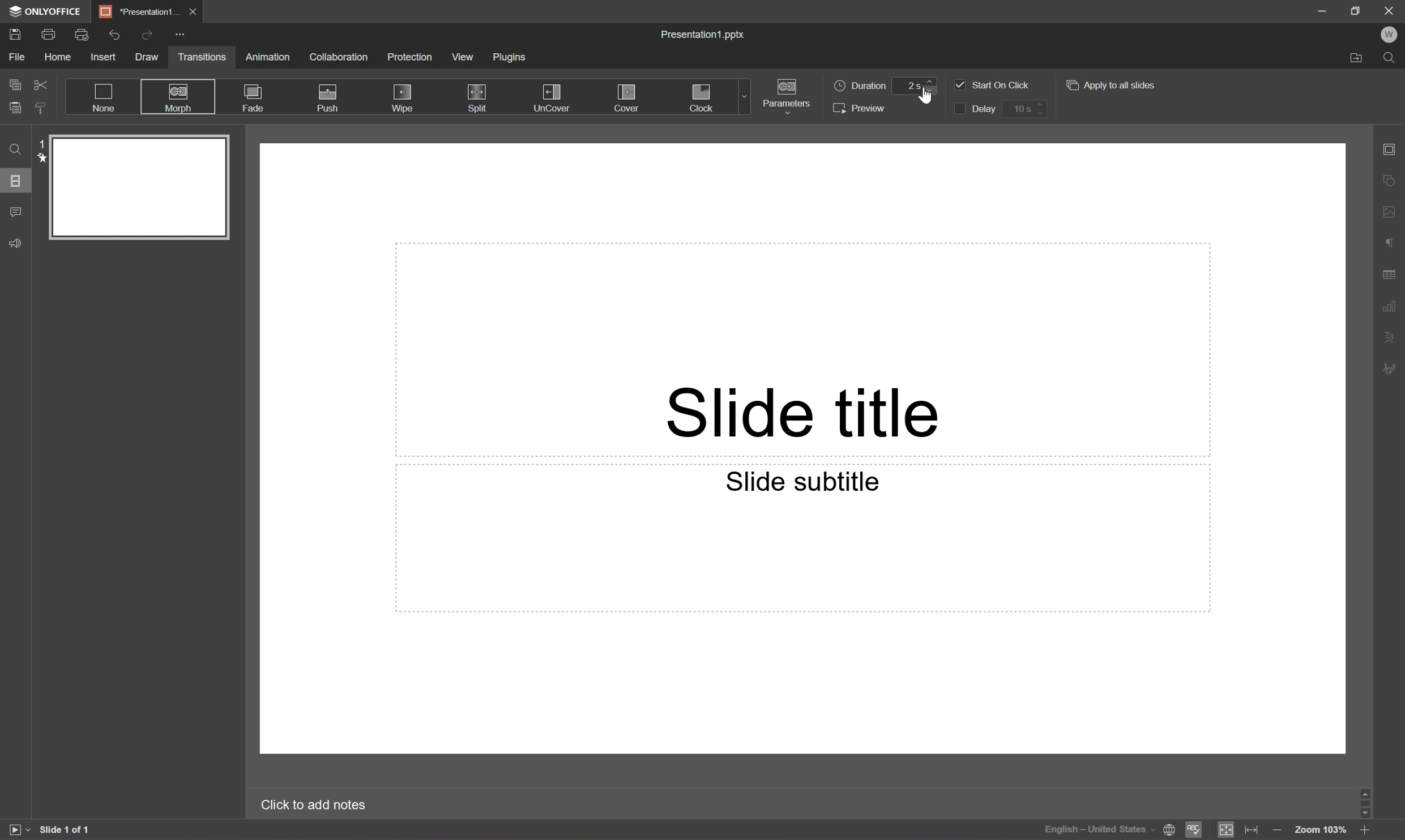  I want to click on Presentation.pptx, so click(704, 34).